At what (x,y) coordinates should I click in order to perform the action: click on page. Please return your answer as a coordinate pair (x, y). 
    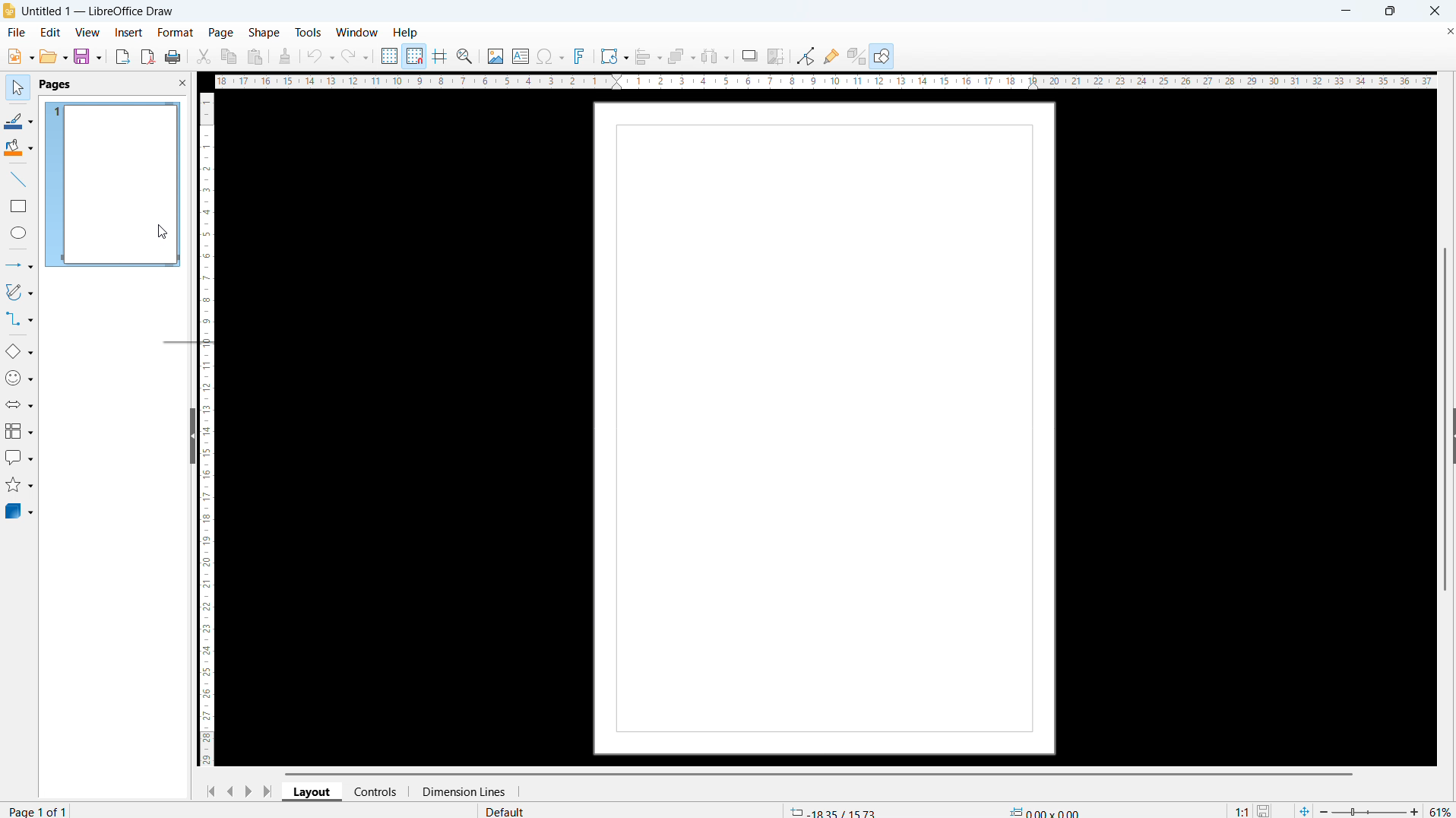
    Looking at the image, I should click on (221, 33).